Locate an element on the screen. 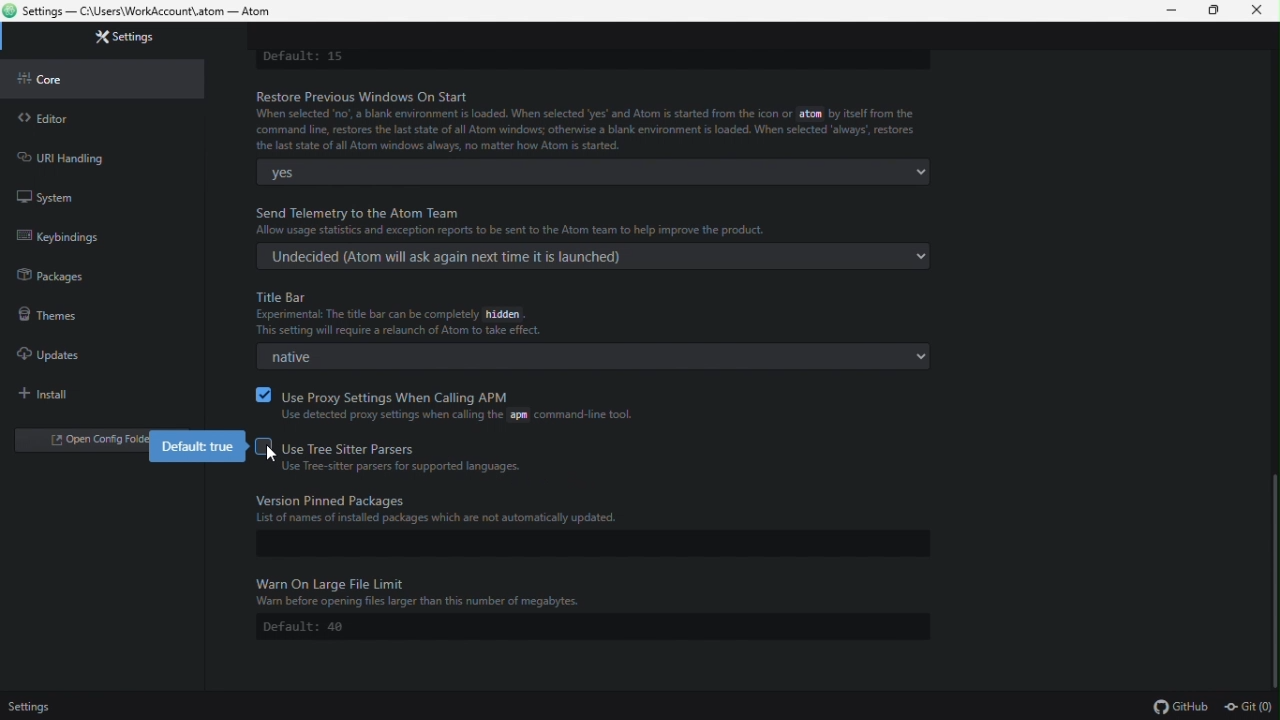 This screenshot has height=720, width=1280. updates is located at coordinates (49, 351).